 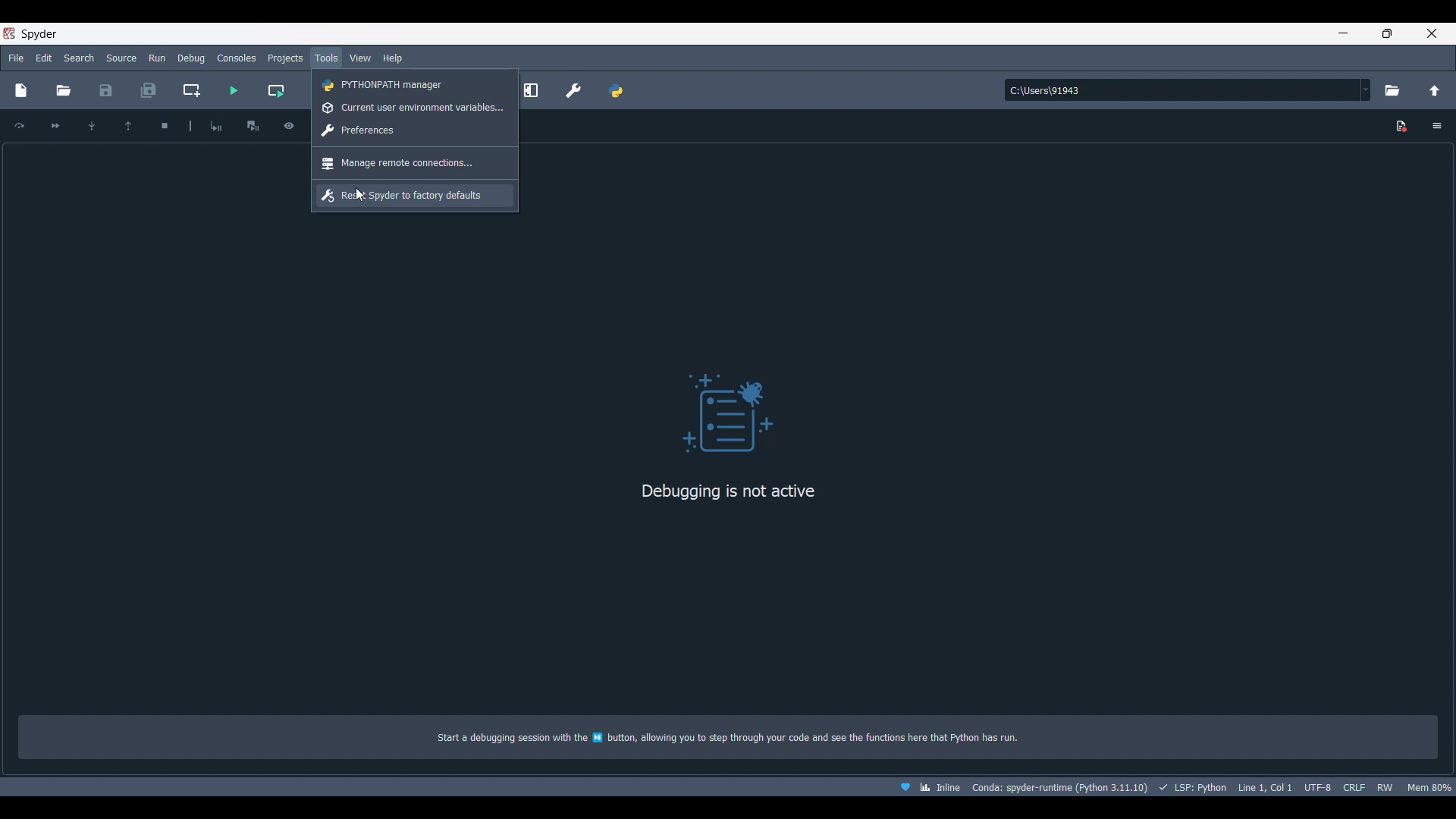 What do you see at coordinates (56, 126) in the screenshot?
I see `forward` at bounding box center [56, 126].